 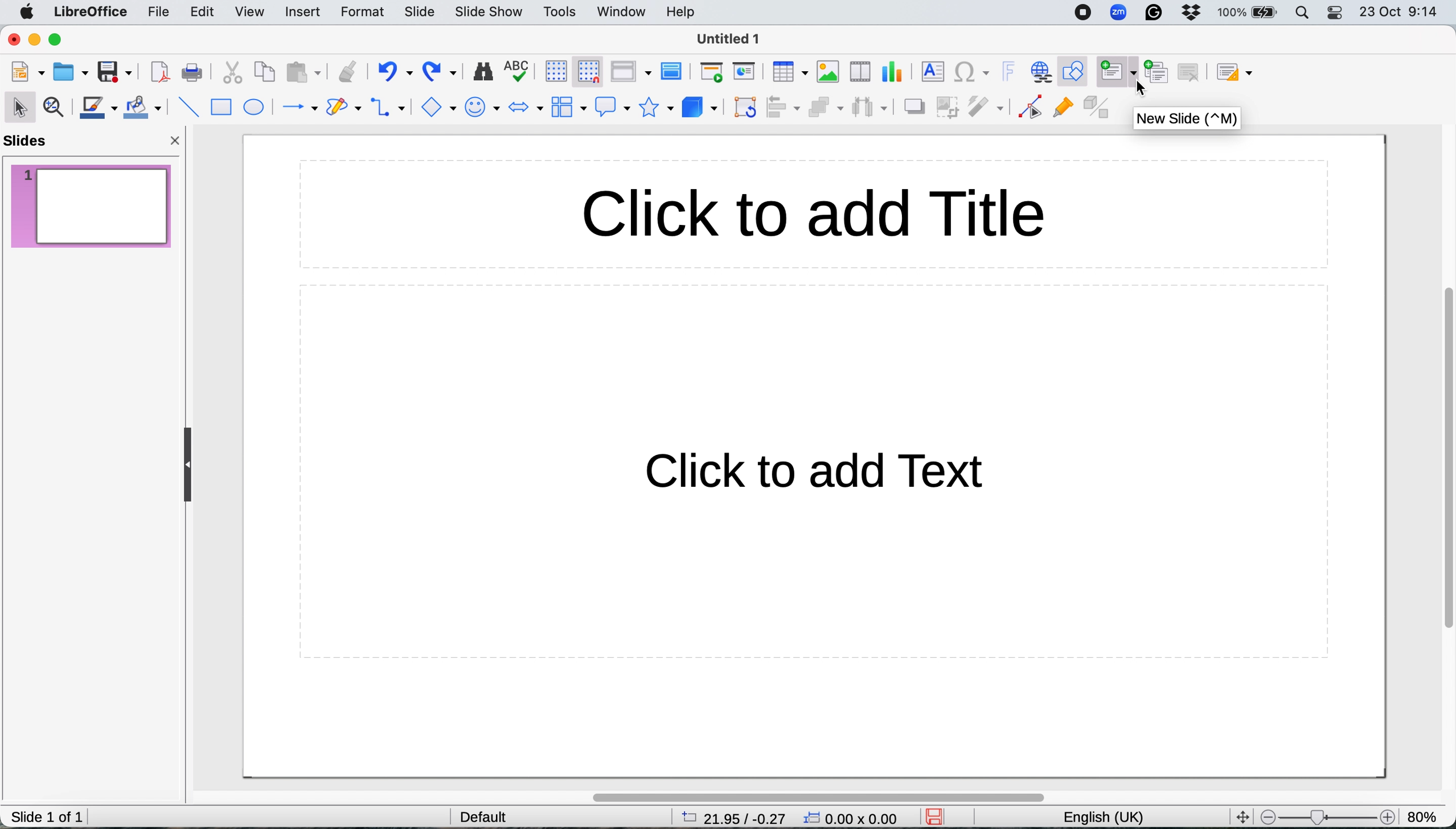 What do you see at coordinates (304, 72) in the screenshot?
I see `paste` at bounding box center [304, 72].